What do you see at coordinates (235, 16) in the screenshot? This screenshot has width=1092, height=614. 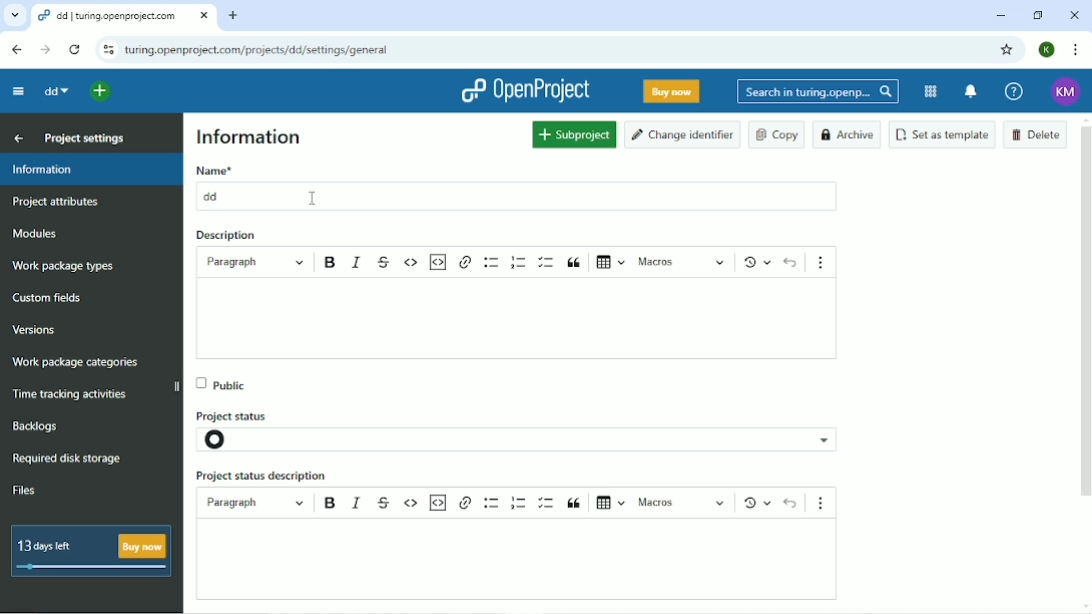 I see `New tab` at bounding box center [235, 16].